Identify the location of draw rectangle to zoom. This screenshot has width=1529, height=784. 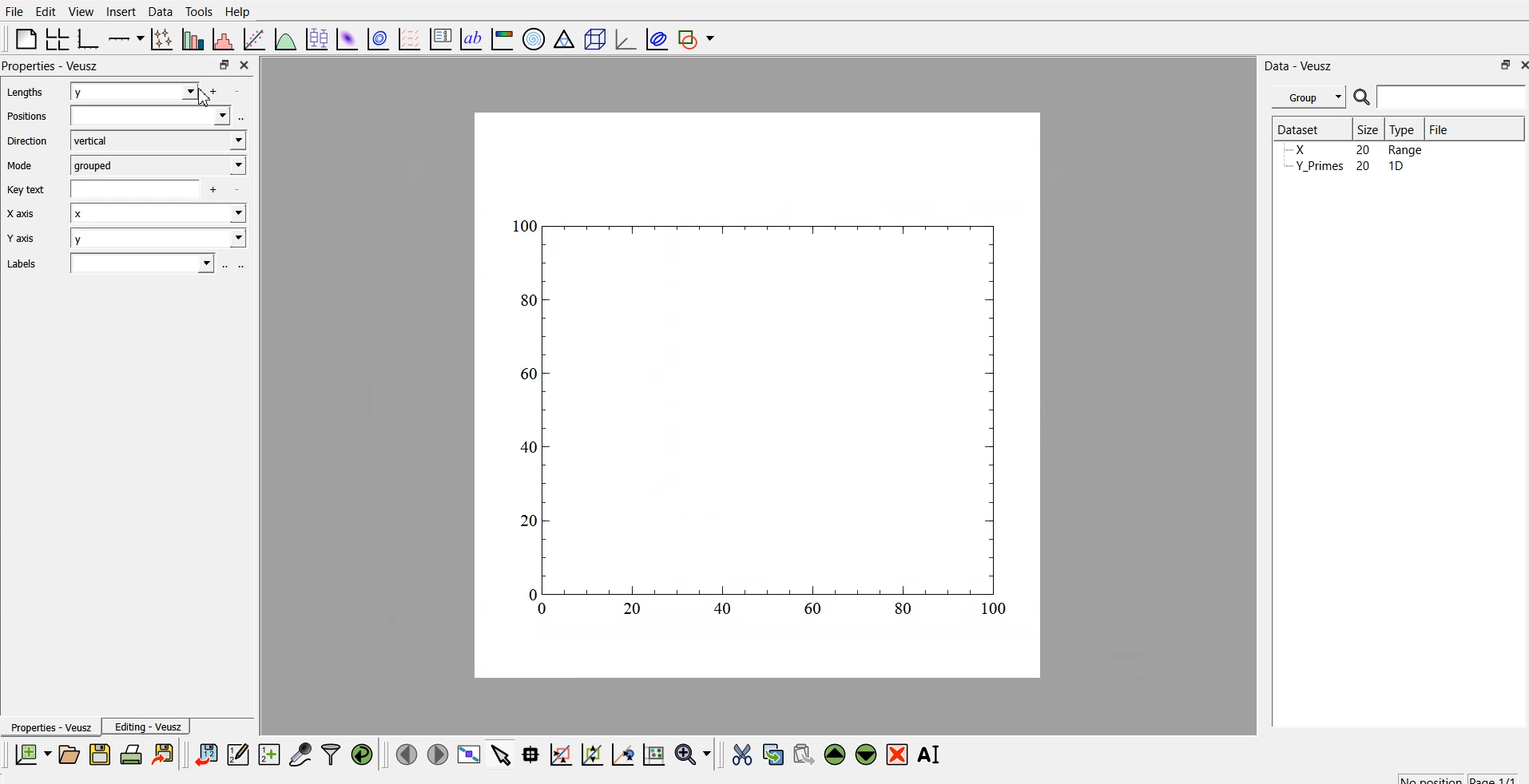
(560, 754).